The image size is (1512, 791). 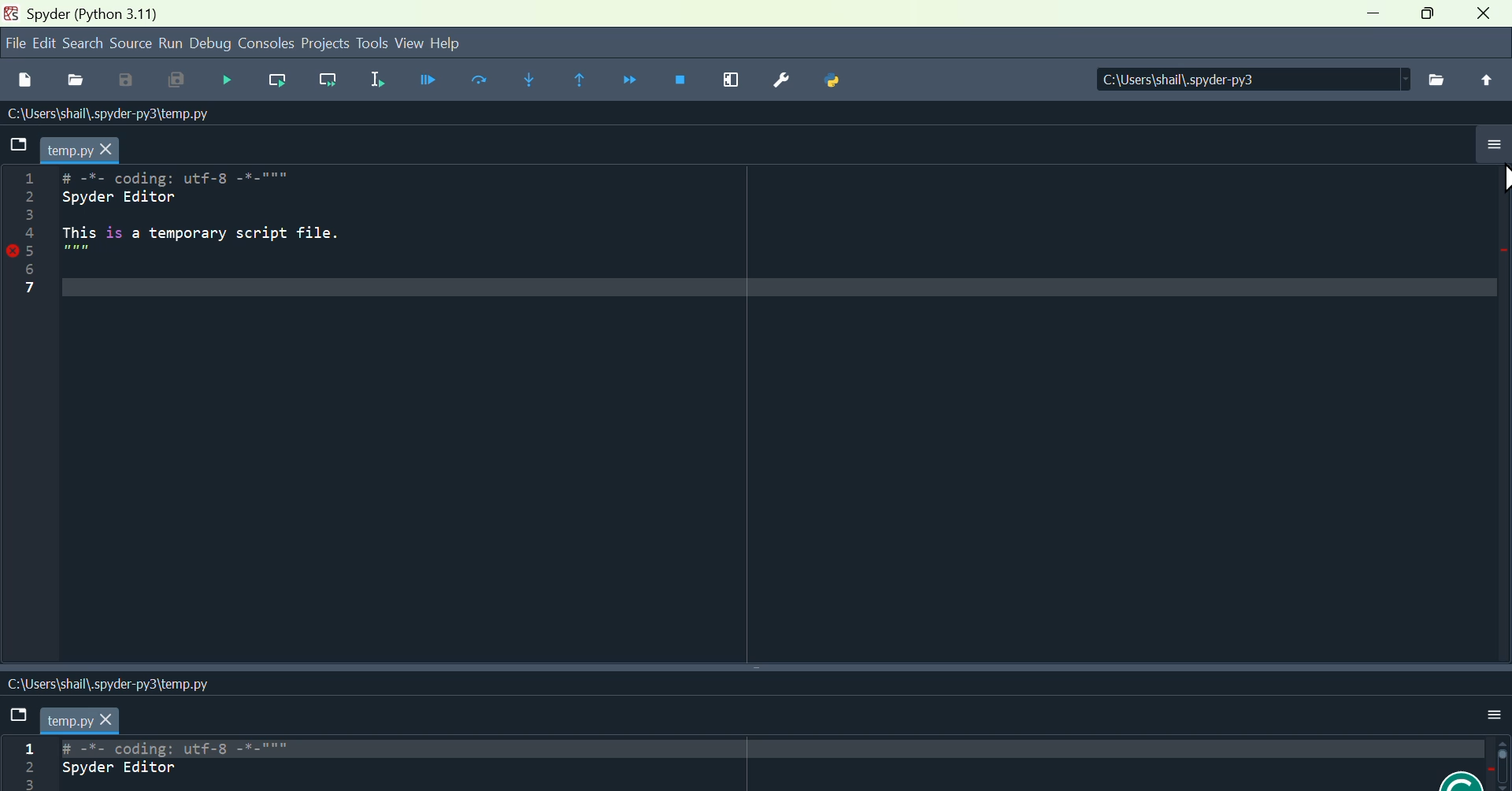 What do you see at coordinates (278, 86) in the screenshot?
I see `Run current line` at bounding box center [278, 86].